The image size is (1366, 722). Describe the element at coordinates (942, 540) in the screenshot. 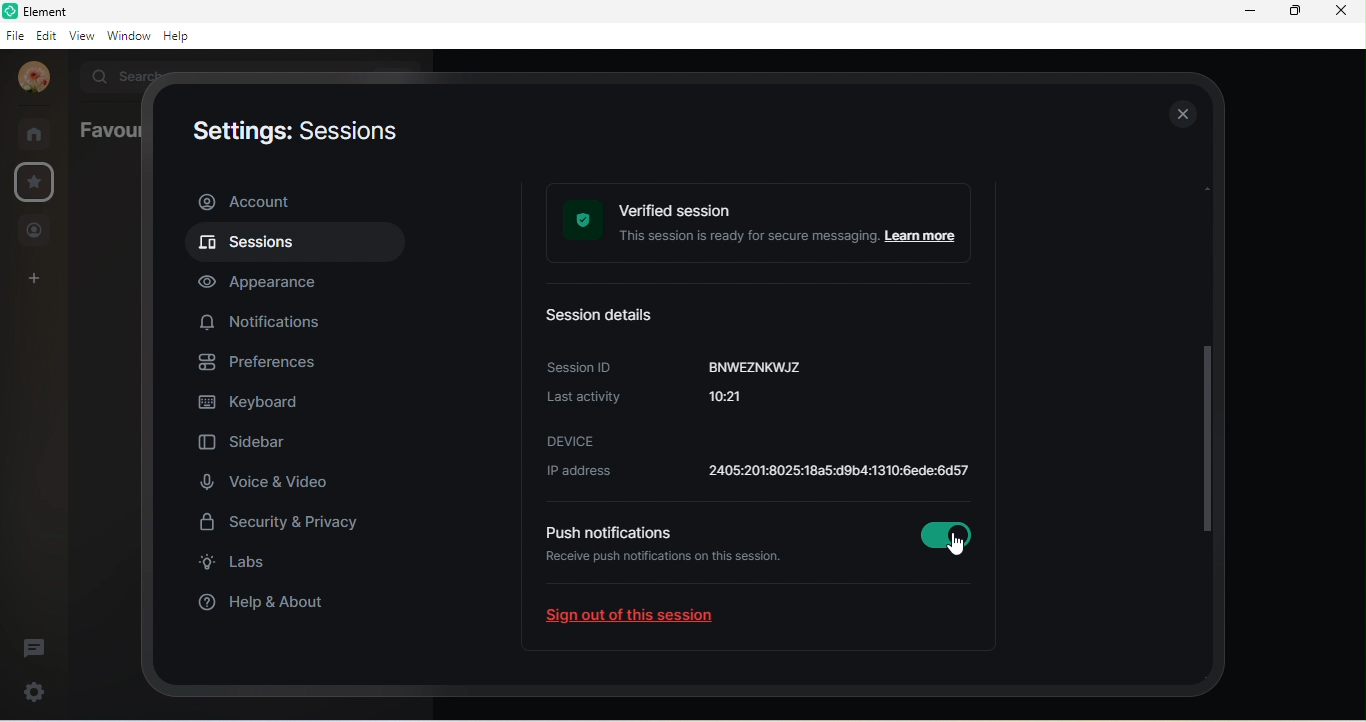

I see `Enabled a session verification notification reminder` at that location.